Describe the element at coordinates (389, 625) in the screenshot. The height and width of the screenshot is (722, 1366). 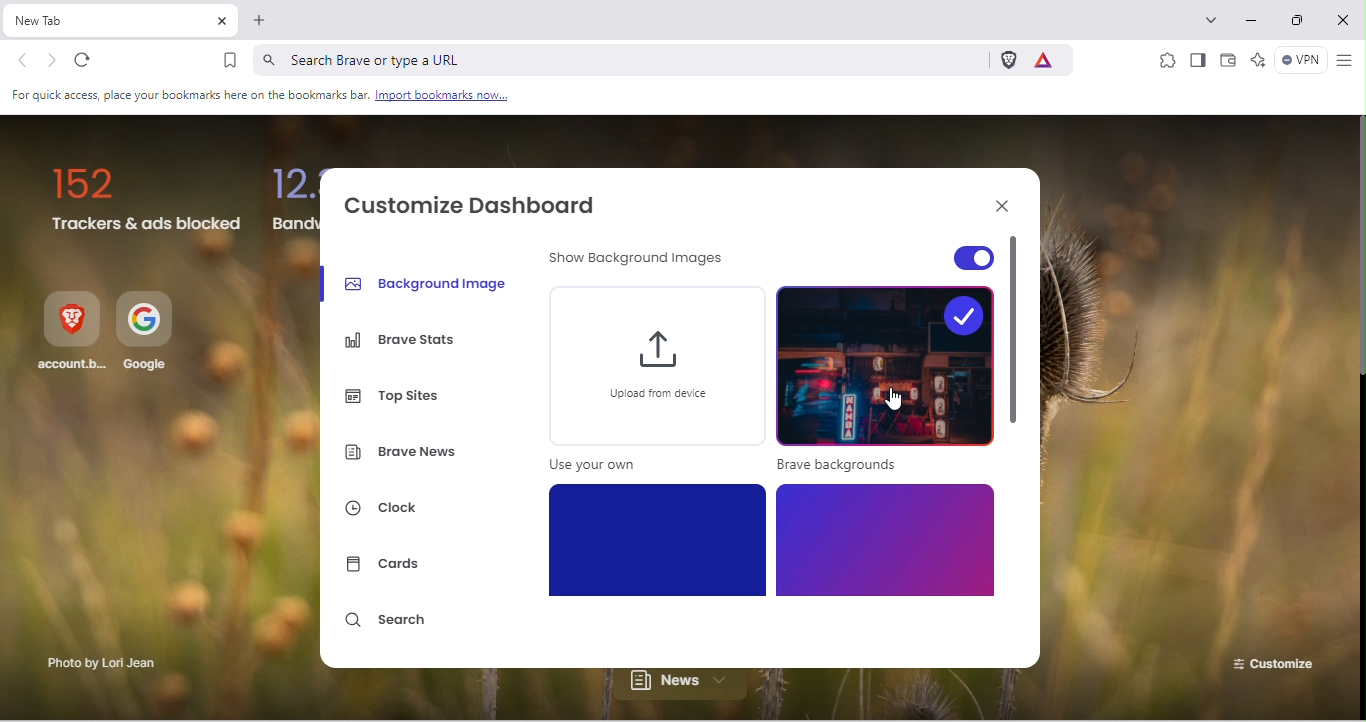
I see `Search` at that location.